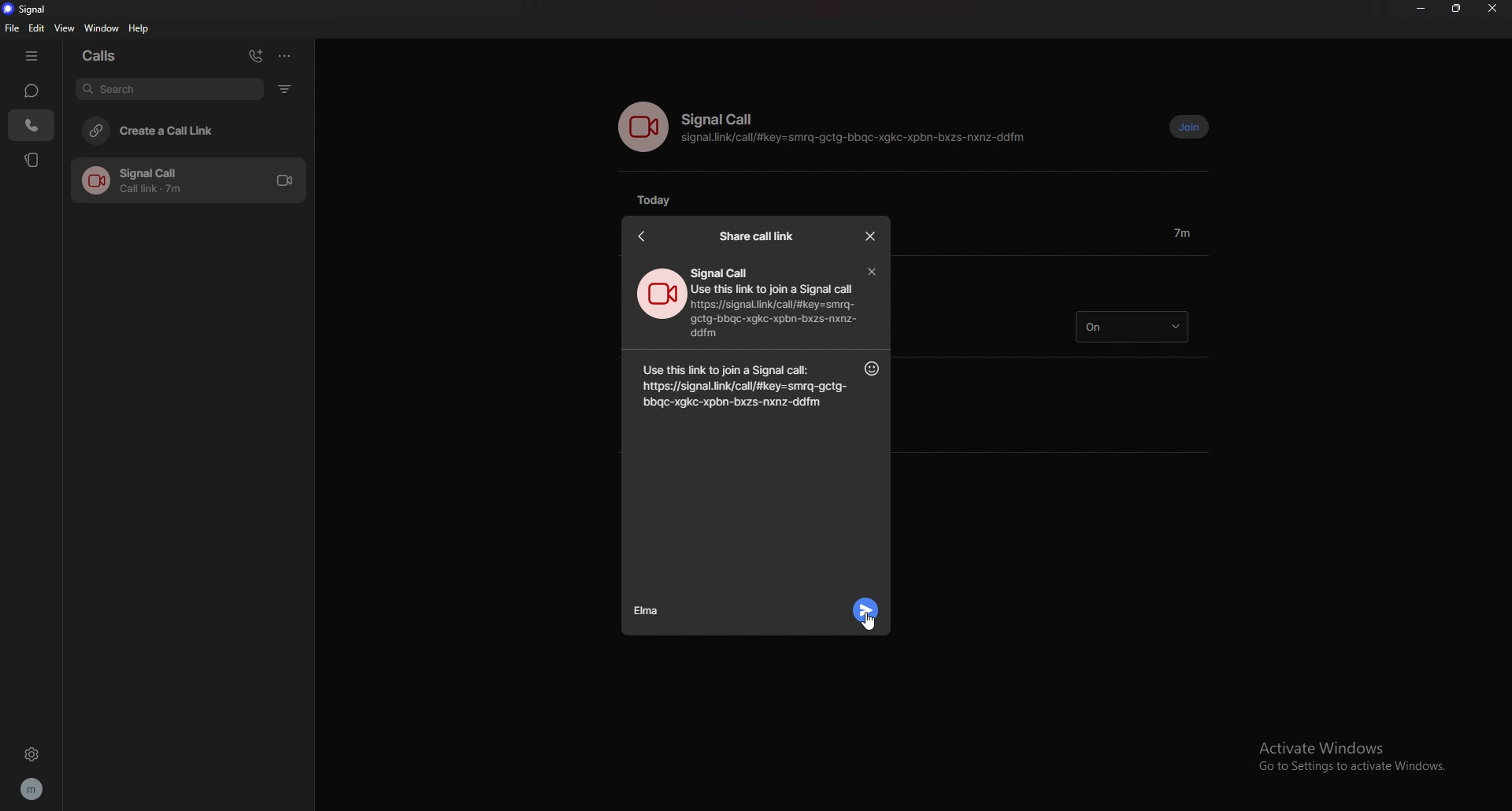 The width and height of the screenshot is (1512, 811). I want to click on Use this link to o join a Signal call https://signal.link/call/#key=smrq- gctg-bbqc-xgkc-xpbn-bxzs-nxnz-ddfm, so click(780, 312).